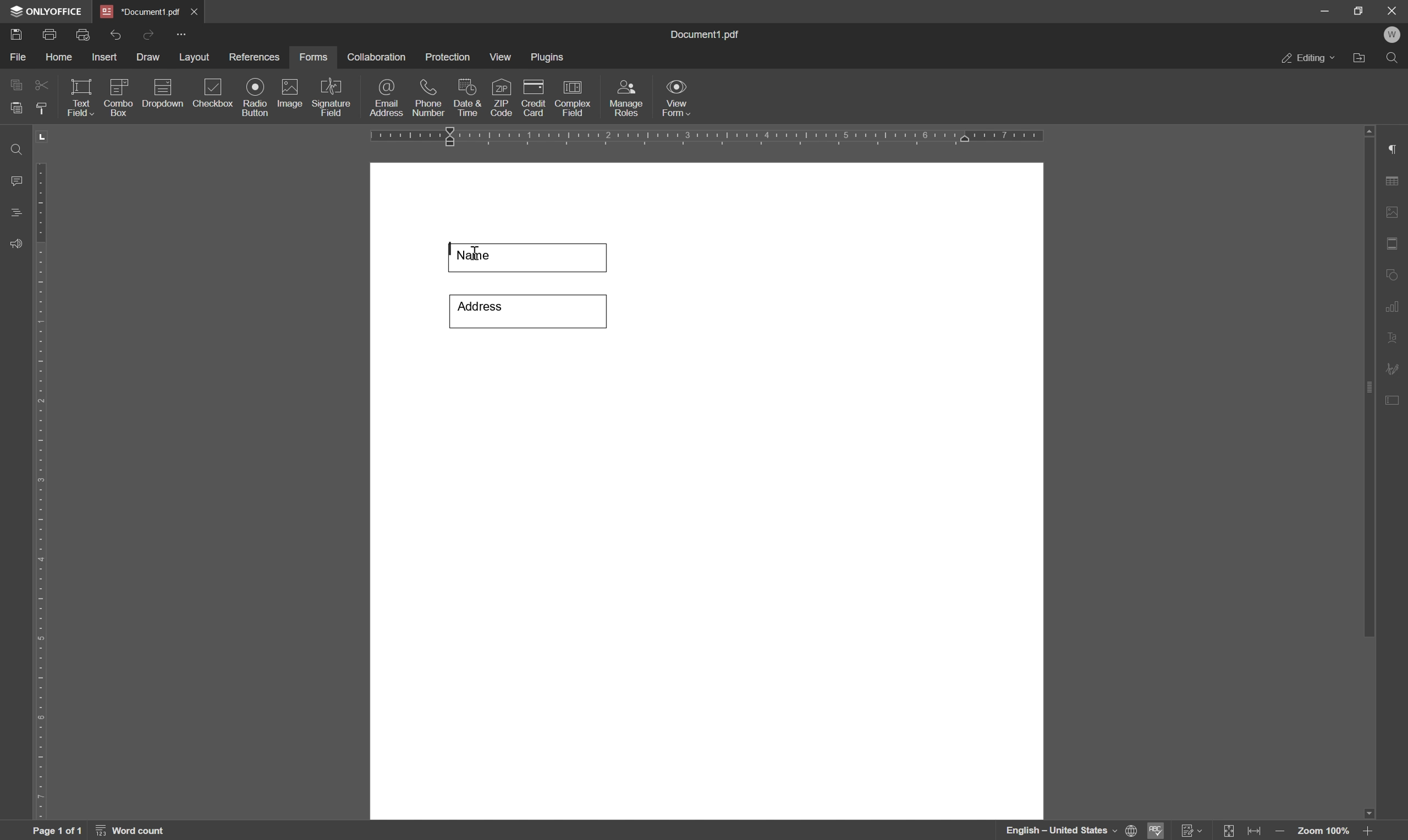 The image size is (1408, 840). Describe the element at coordinates (41, 84) in the screenshot. I see `cut` at that location.